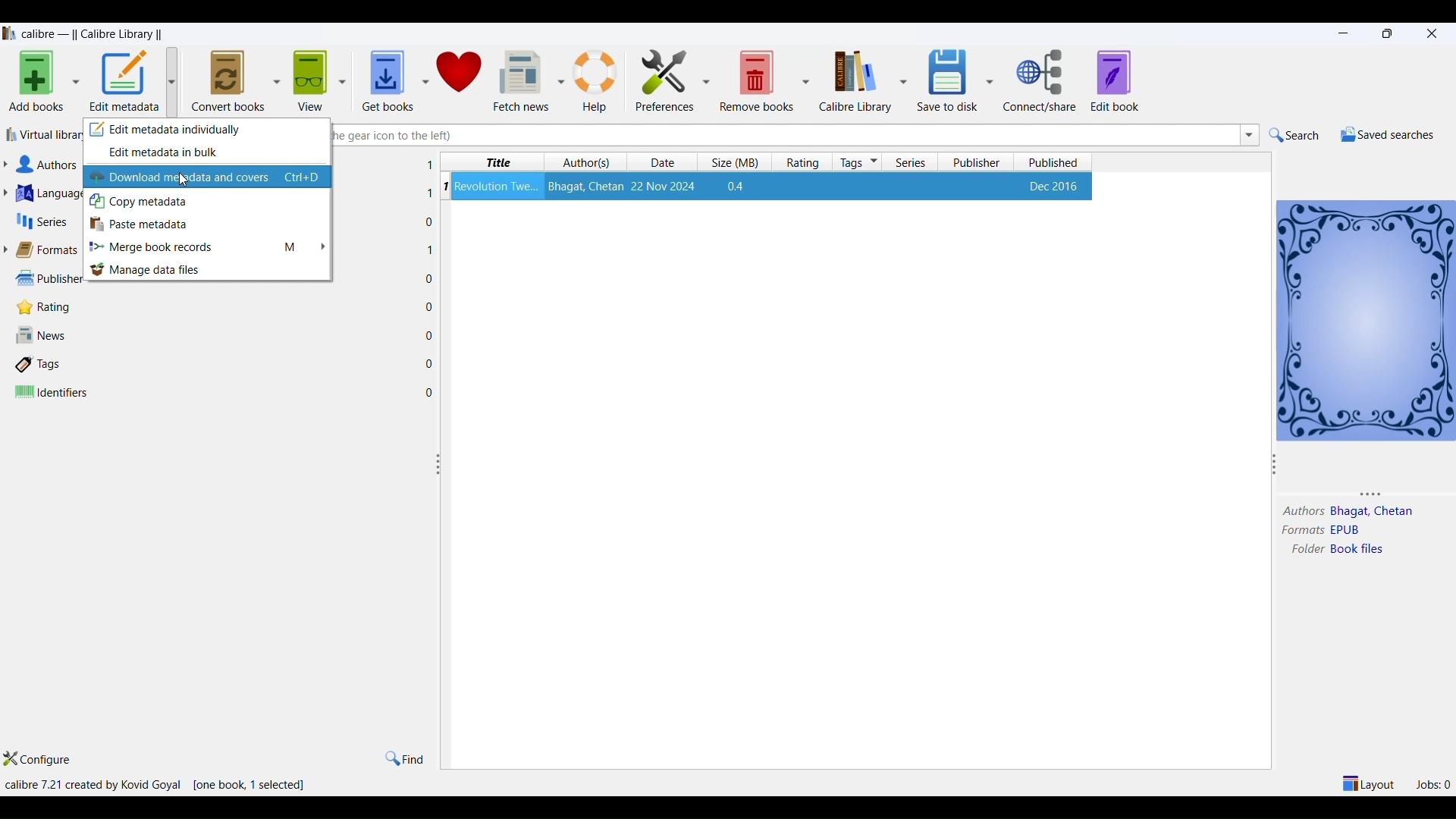 The width and height of the screenshot is (1456, 819). I want to click on download metadata and covers, so click(181, 177).